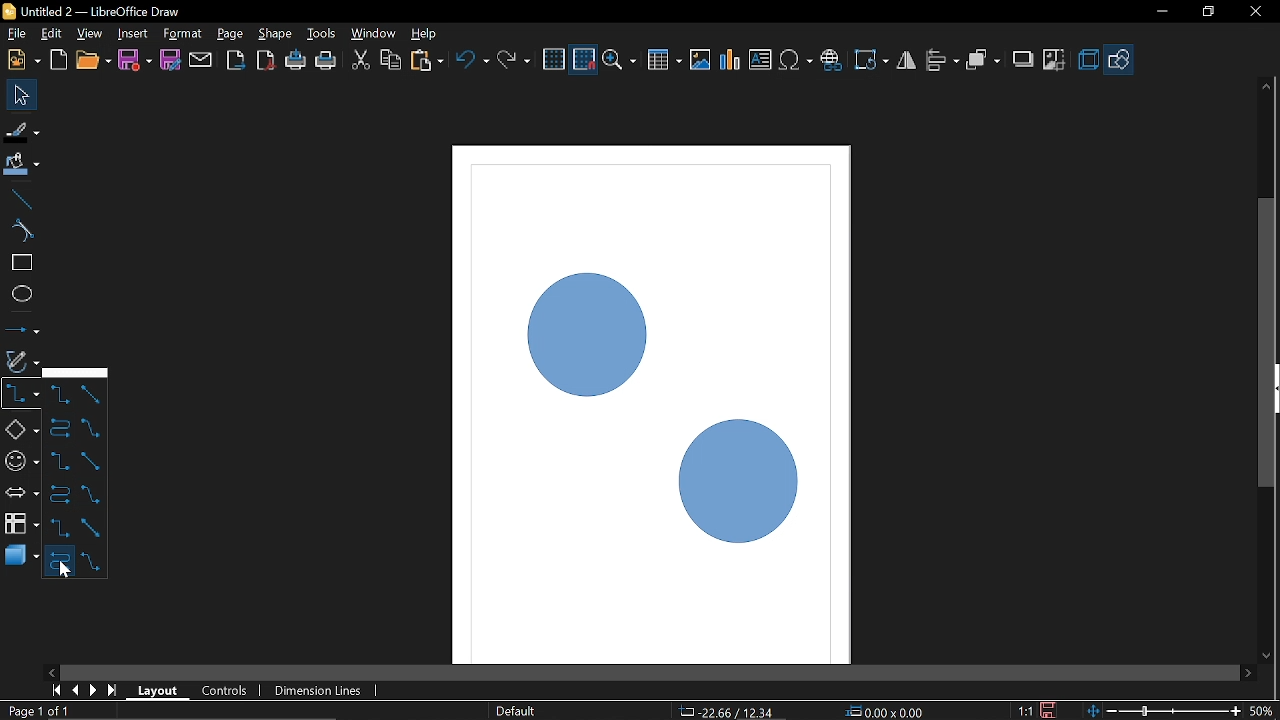  I want to click on Help, so click(427, 34).